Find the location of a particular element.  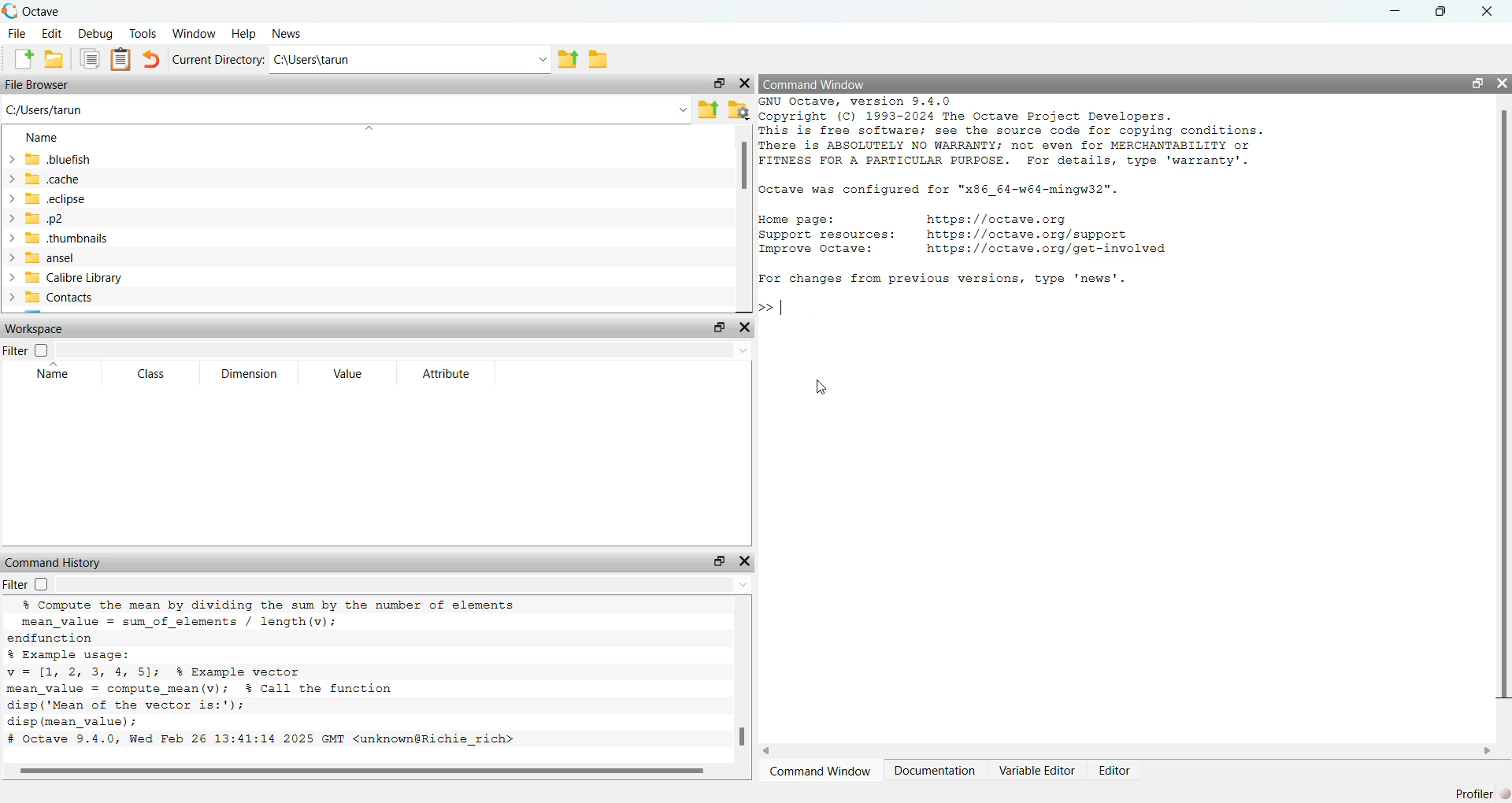

Filter is located at coordinates (27, 350).